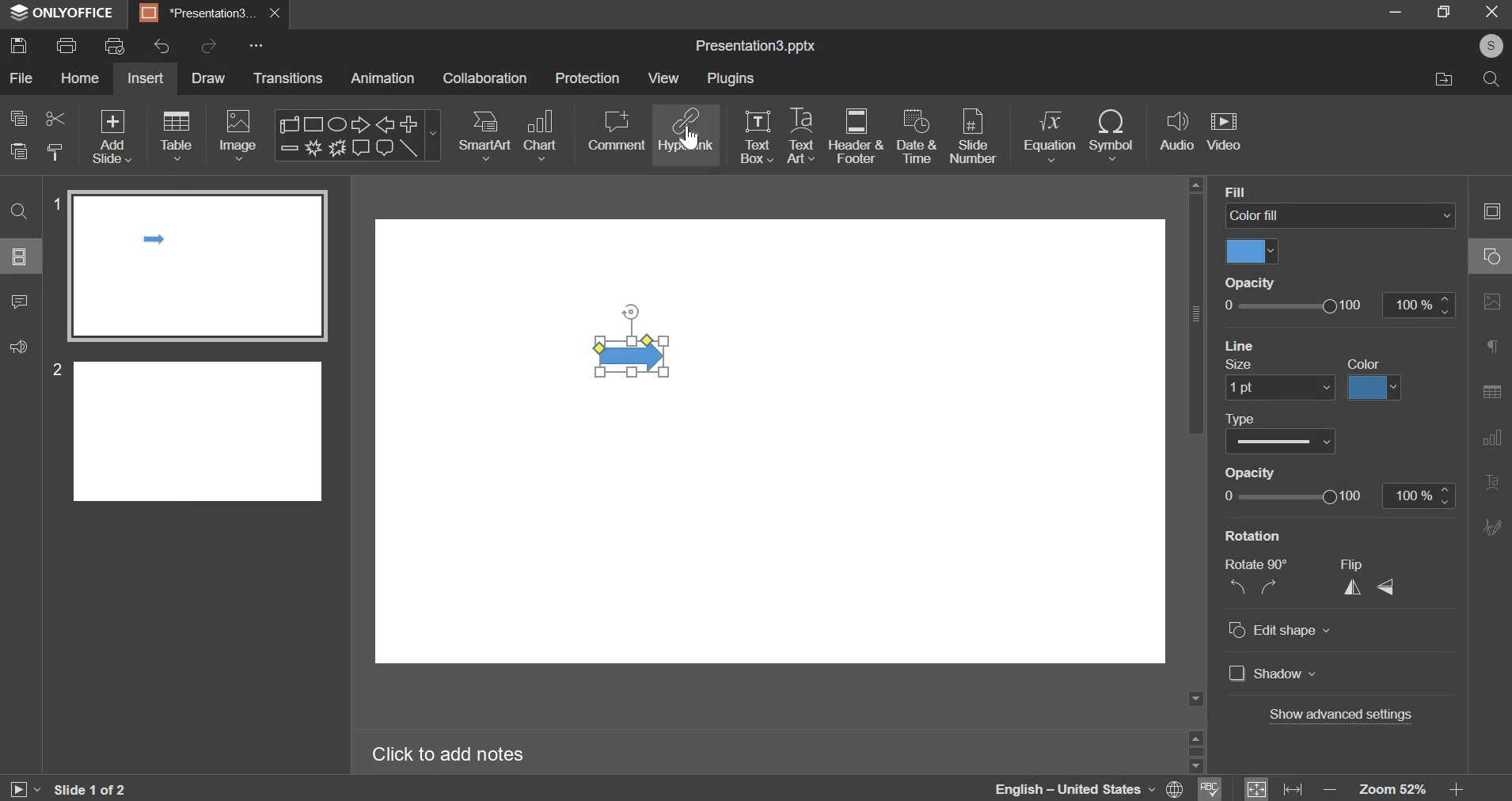  Describe the element at coordinates (288, 78) in the screenshot. I see `transitions` at that location.